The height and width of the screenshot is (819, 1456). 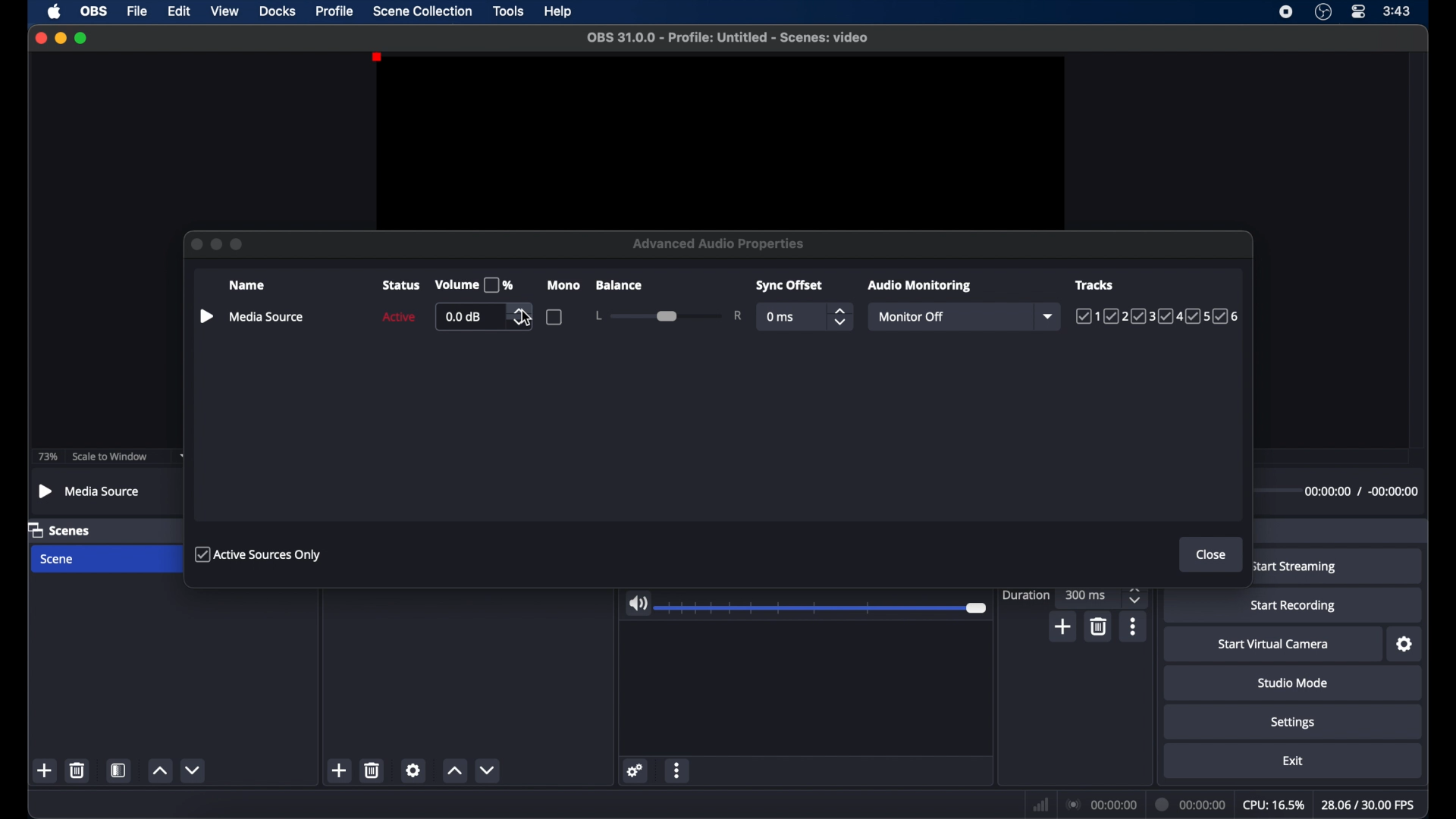 I want to click on edit, so click(x=178, y=11).